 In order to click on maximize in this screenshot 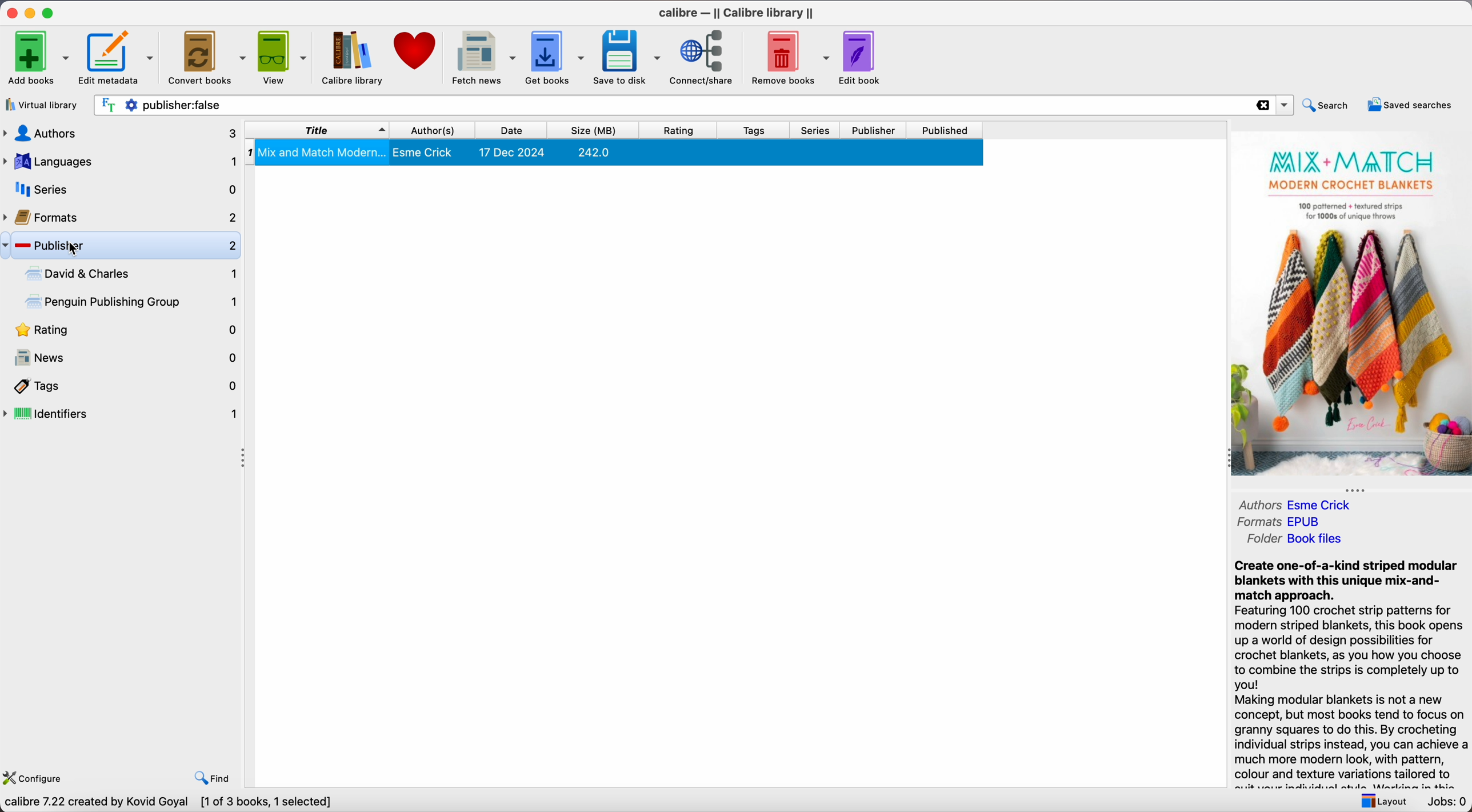, I will do `click(50, 12)`.